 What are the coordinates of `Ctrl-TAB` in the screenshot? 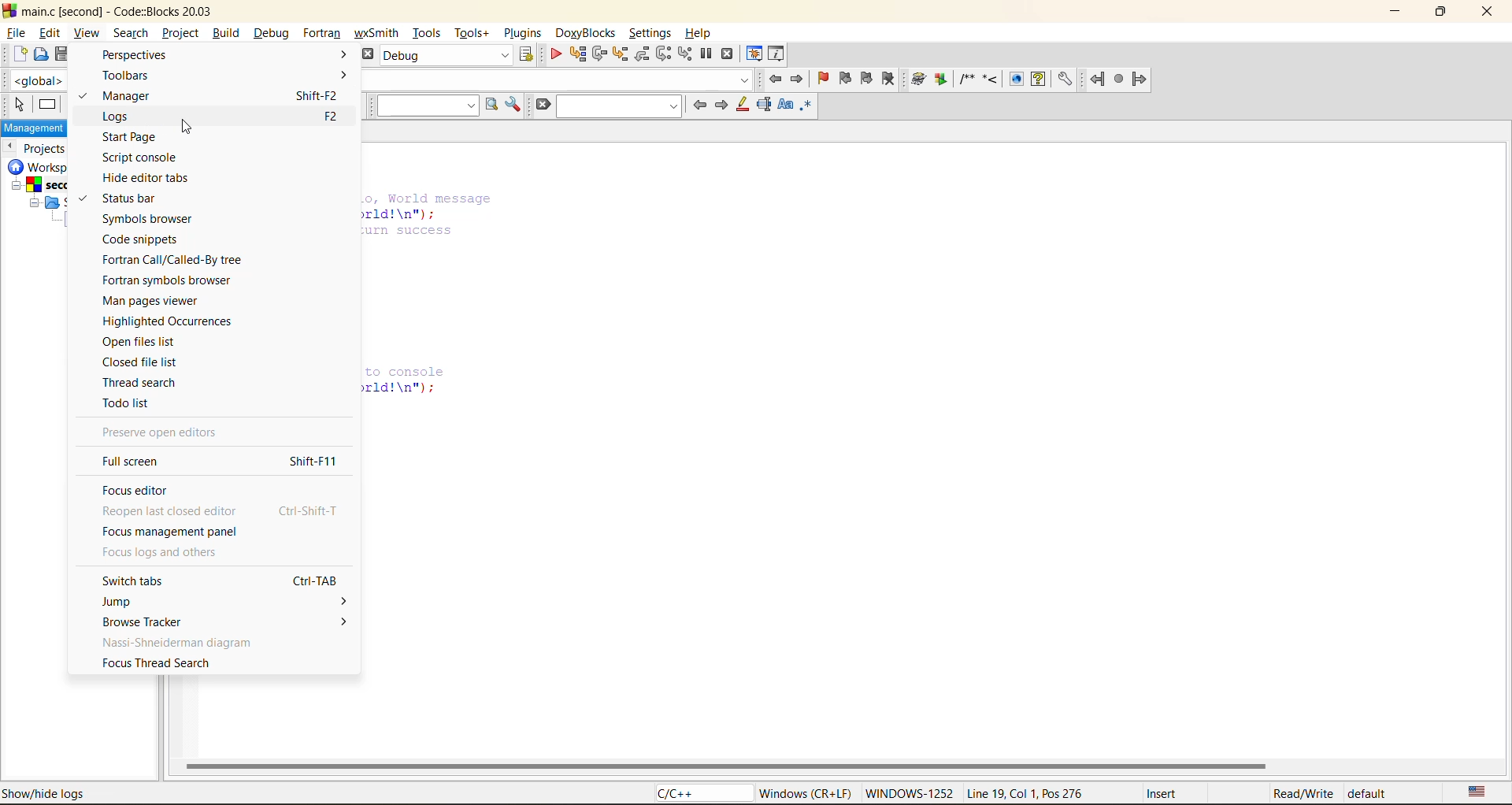 It's located at (313, 578).